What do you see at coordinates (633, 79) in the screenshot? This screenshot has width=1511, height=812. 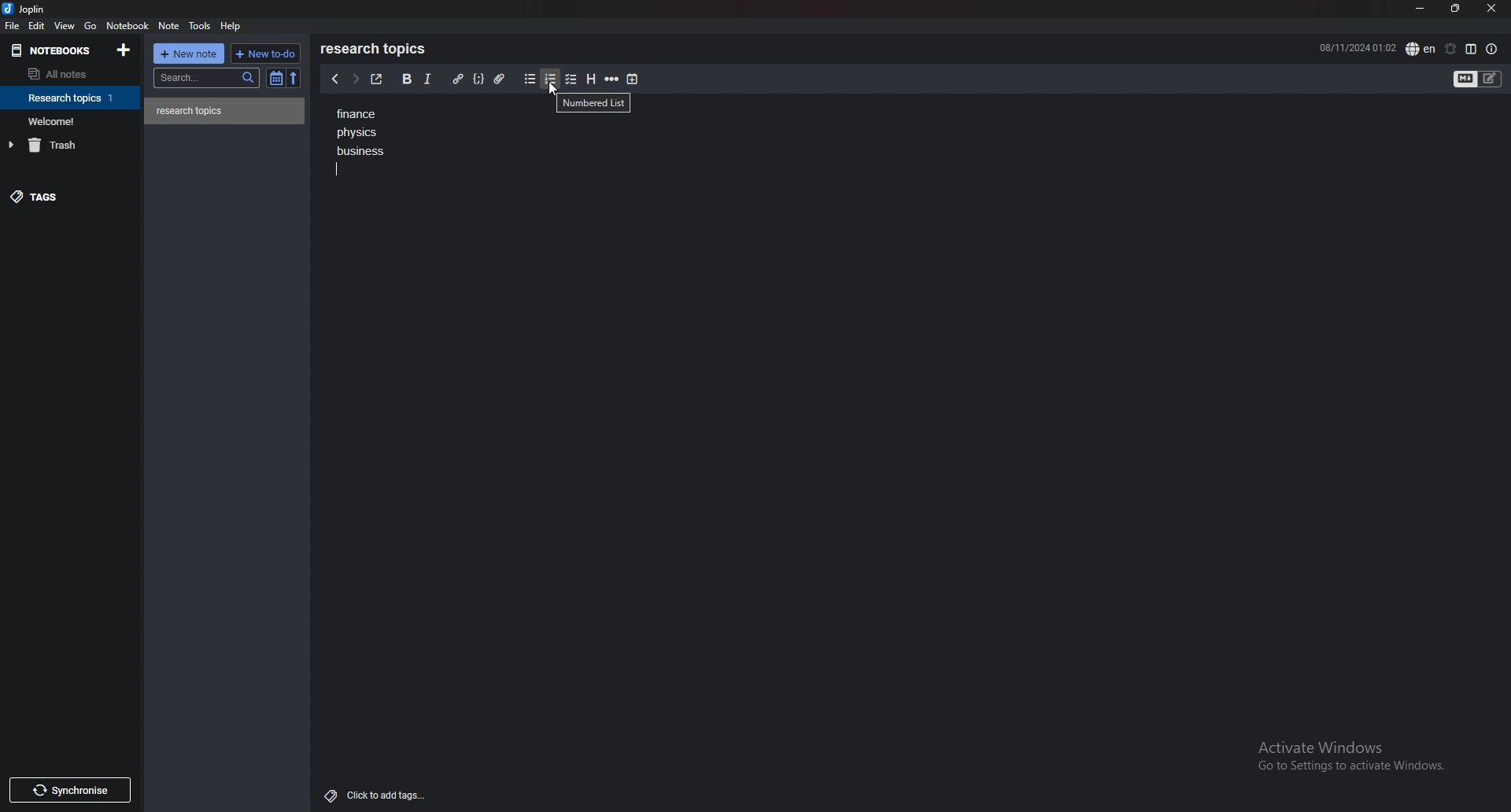 I see `add time` at bounding box center [633, 79].